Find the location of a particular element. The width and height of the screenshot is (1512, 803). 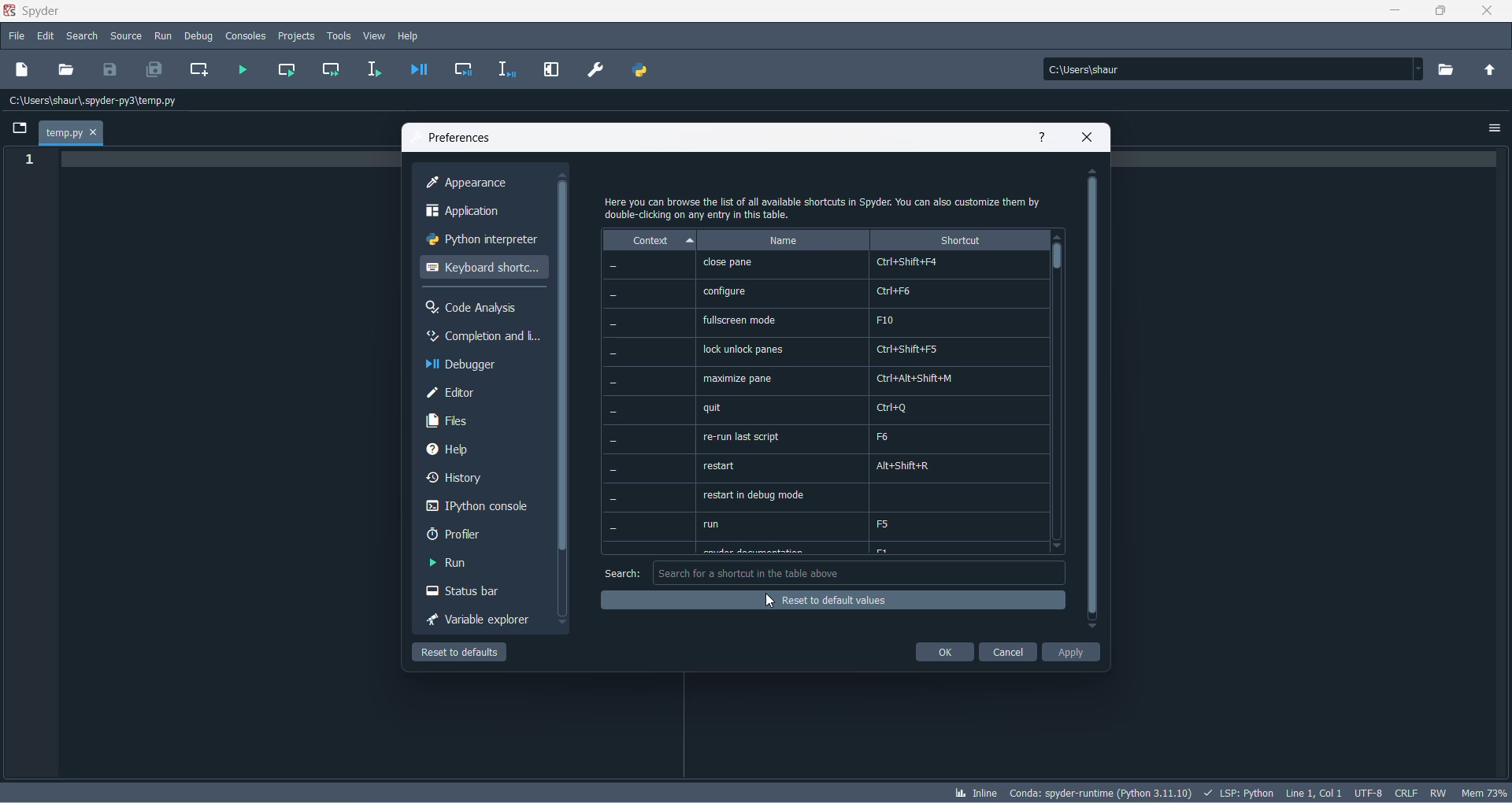

search box is located at coordinates (858, 574).